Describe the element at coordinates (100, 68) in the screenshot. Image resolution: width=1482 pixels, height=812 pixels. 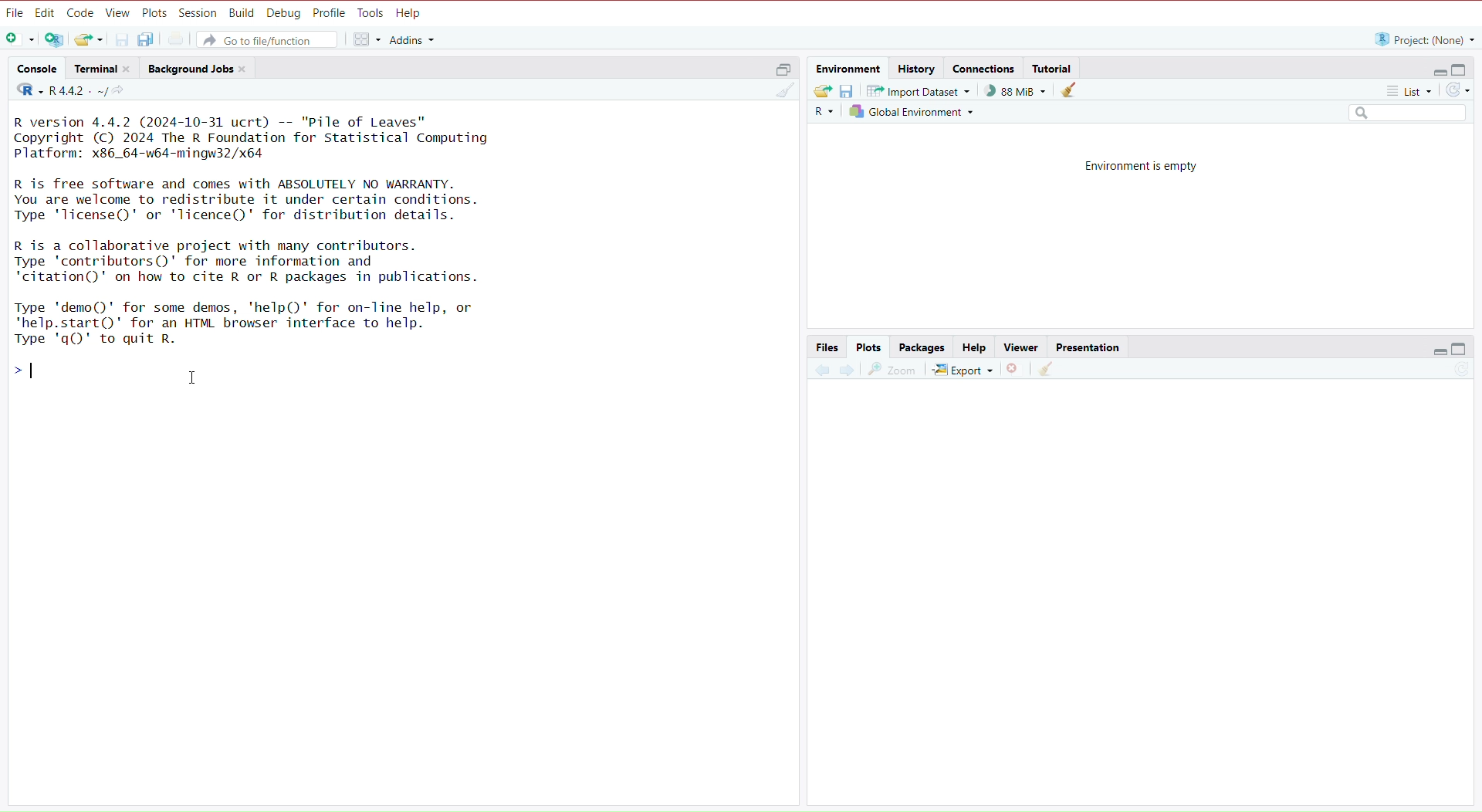
I see `Terminal` at that location.